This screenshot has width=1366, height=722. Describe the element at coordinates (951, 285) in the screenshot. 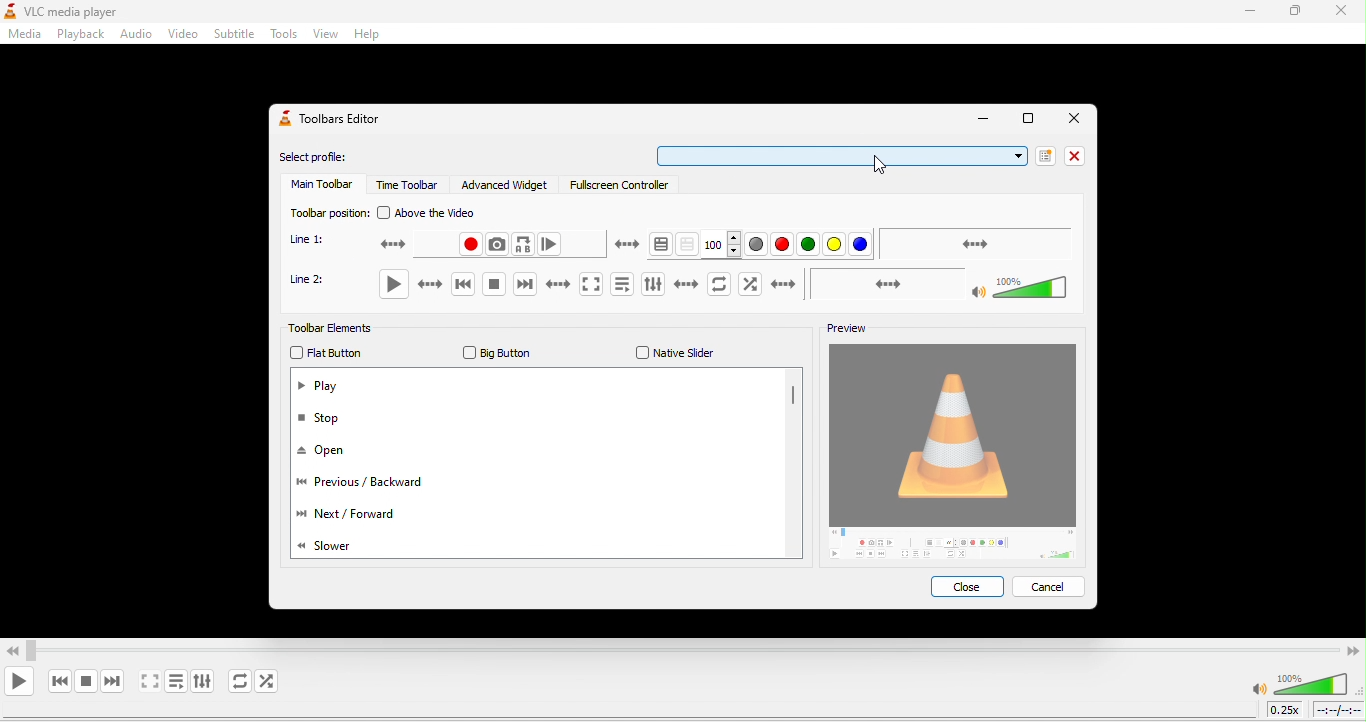

I see `volume` at that location.